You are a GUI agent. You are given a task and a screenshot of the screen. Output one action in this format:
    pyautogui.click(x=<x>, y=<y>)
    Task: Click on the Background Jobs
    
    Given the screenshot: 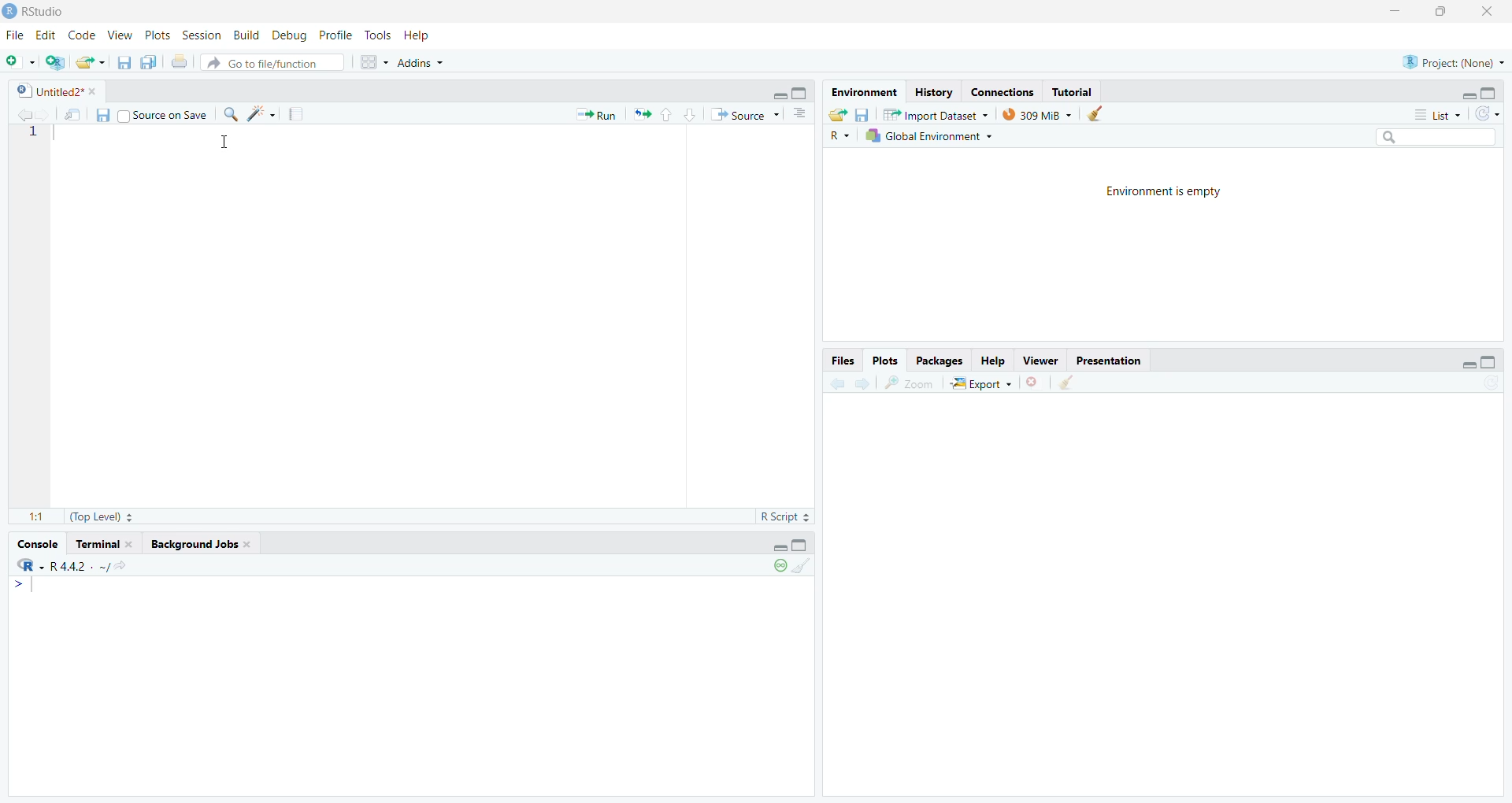 What is the action you would take?
    pyautogui.click(x=196, y=546)
    